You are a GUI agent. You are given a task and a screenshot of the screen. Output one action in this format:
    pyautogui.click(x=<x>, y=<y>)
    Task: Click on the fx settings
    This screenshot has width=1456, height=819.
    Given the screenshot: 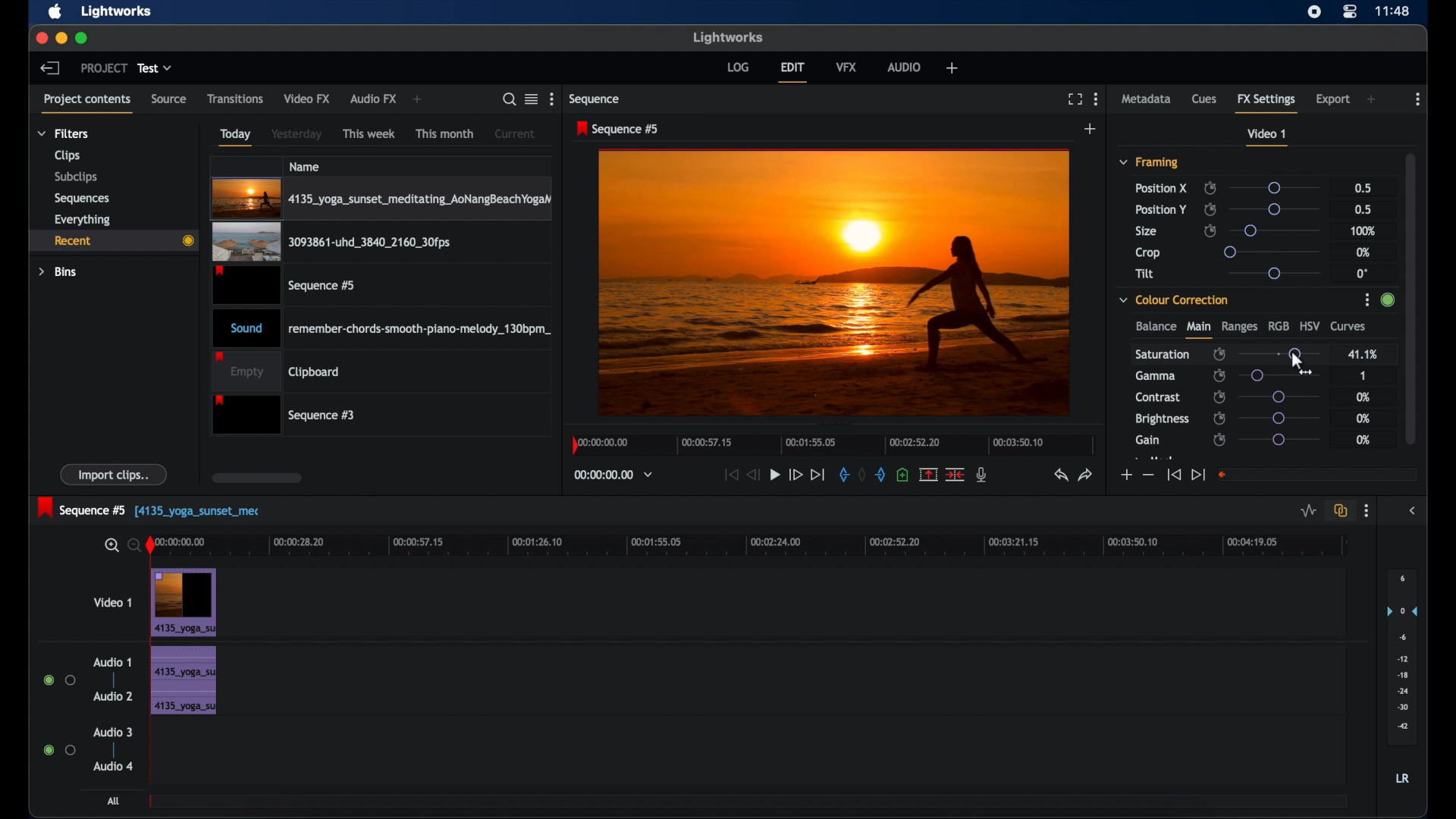 What is the action you would take?
    pyautogui.click(x=1268, y=102)
    